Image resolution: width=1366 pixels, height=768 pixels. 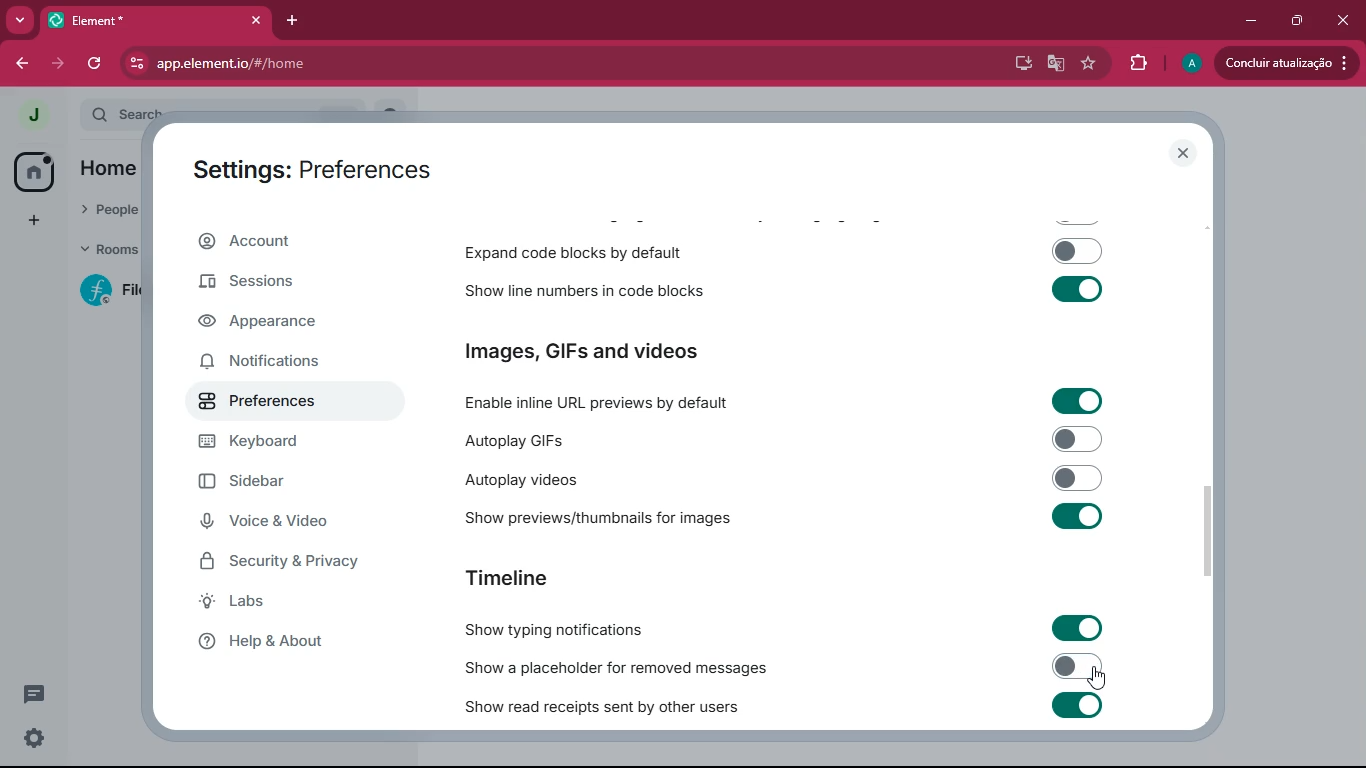 I want to click on more, so click(x=16, y=21).